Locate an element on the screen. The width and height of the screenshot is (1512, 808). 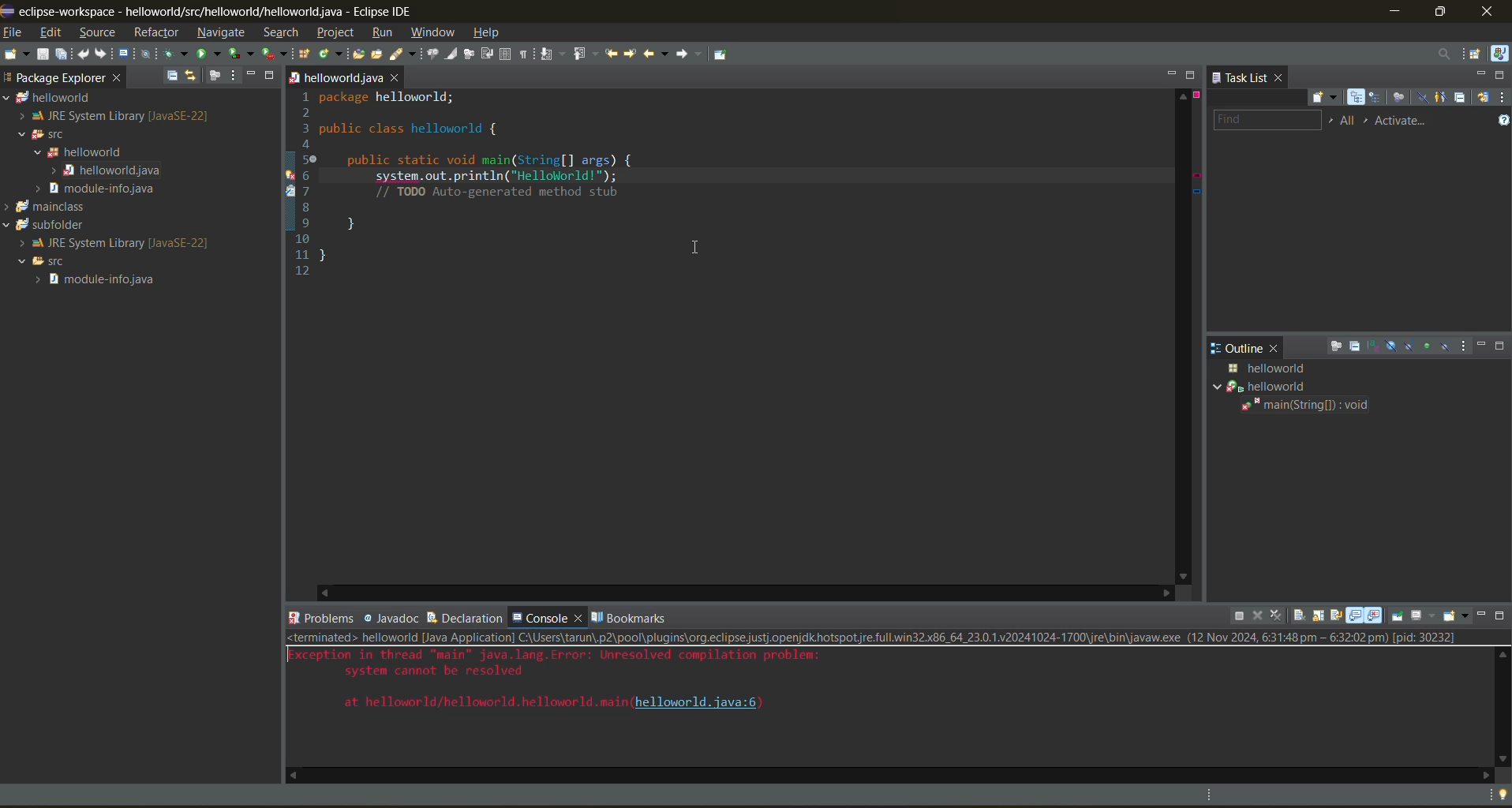
sort is located at coordinates (1378, 347).